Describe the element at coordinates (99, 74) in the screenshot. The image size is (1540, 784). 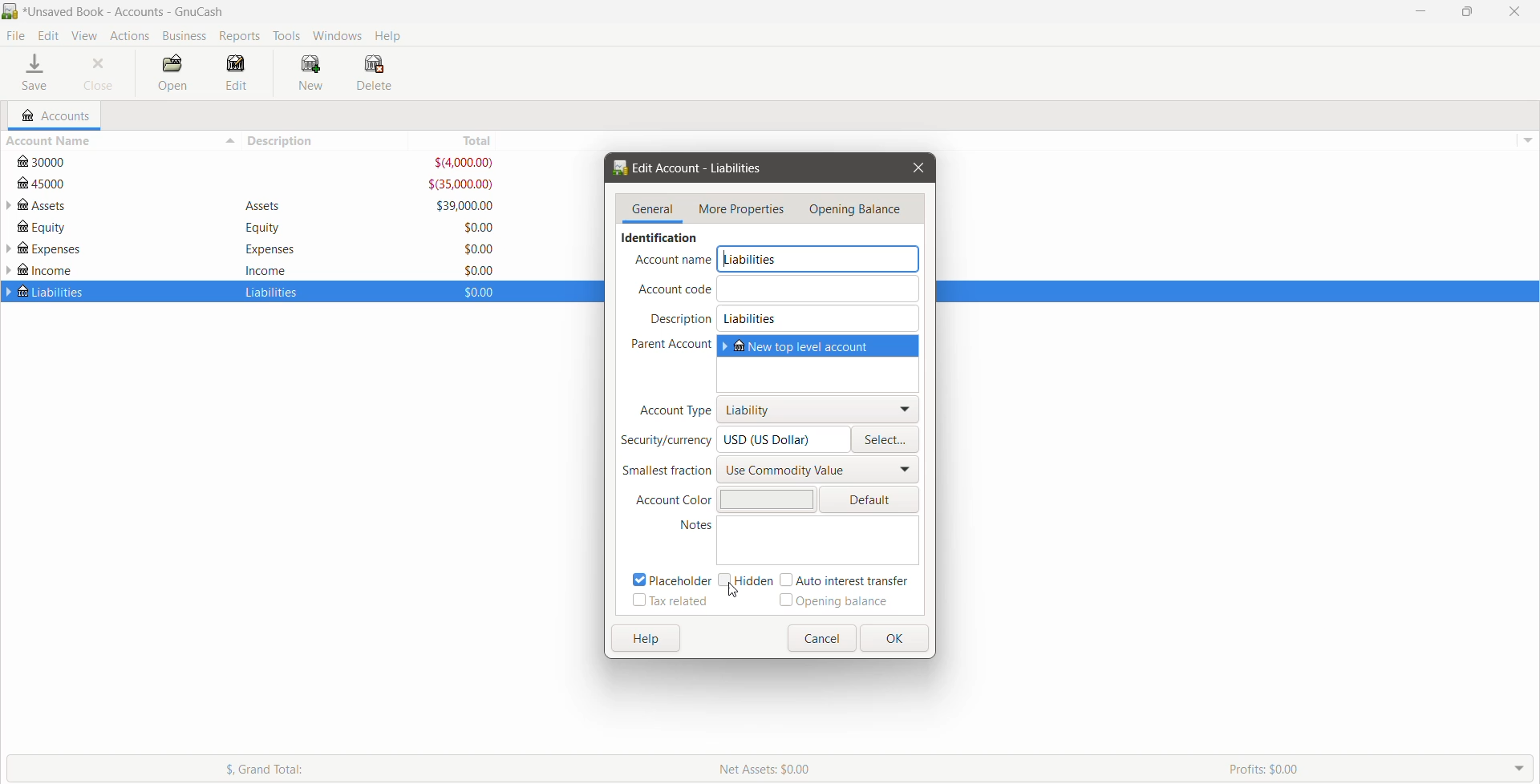
I see `Close` at that location.